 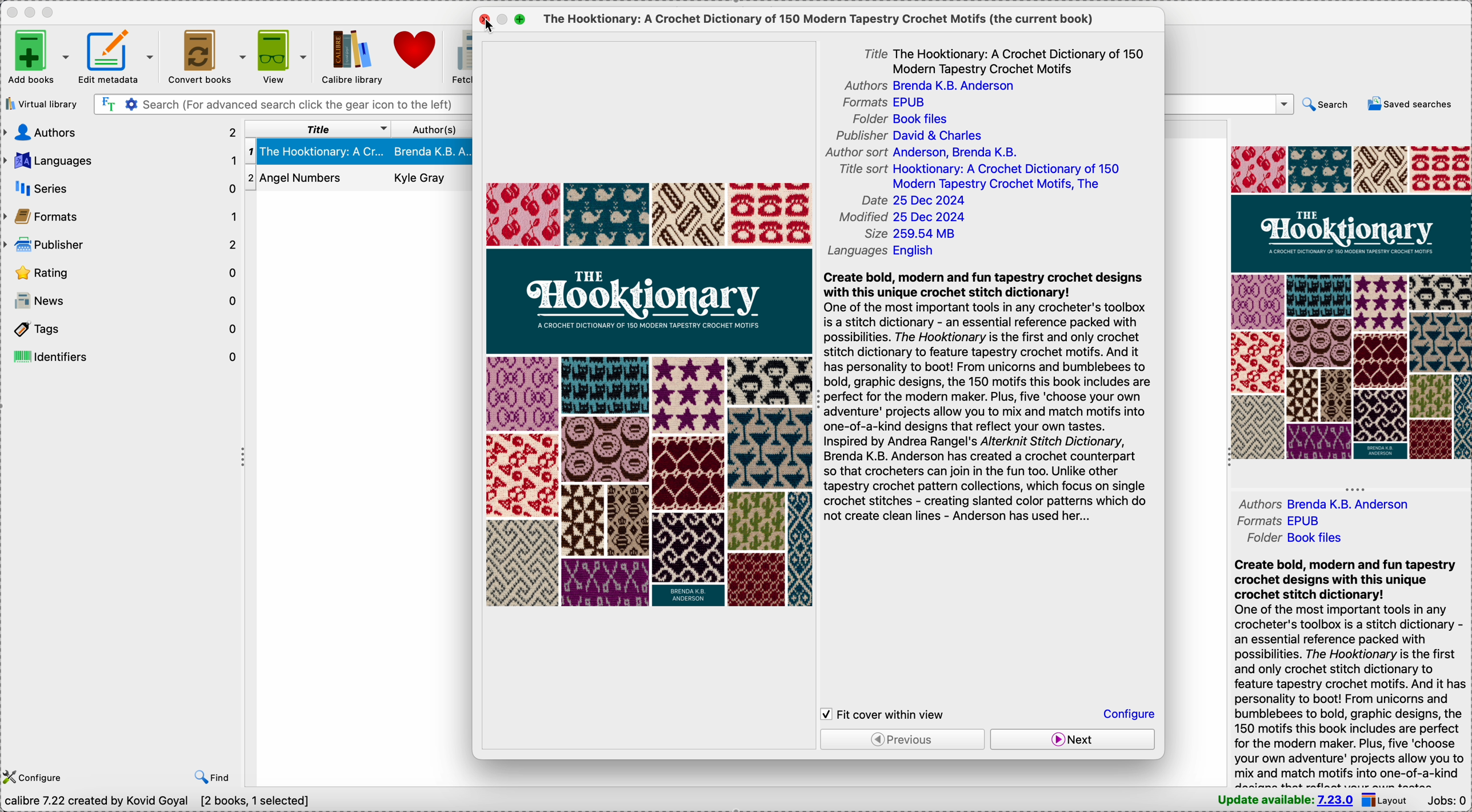 What do you see at coordinates (30, 13) in the screenshot?
I see `minimize Calibre` at bounding box center [30, 13].